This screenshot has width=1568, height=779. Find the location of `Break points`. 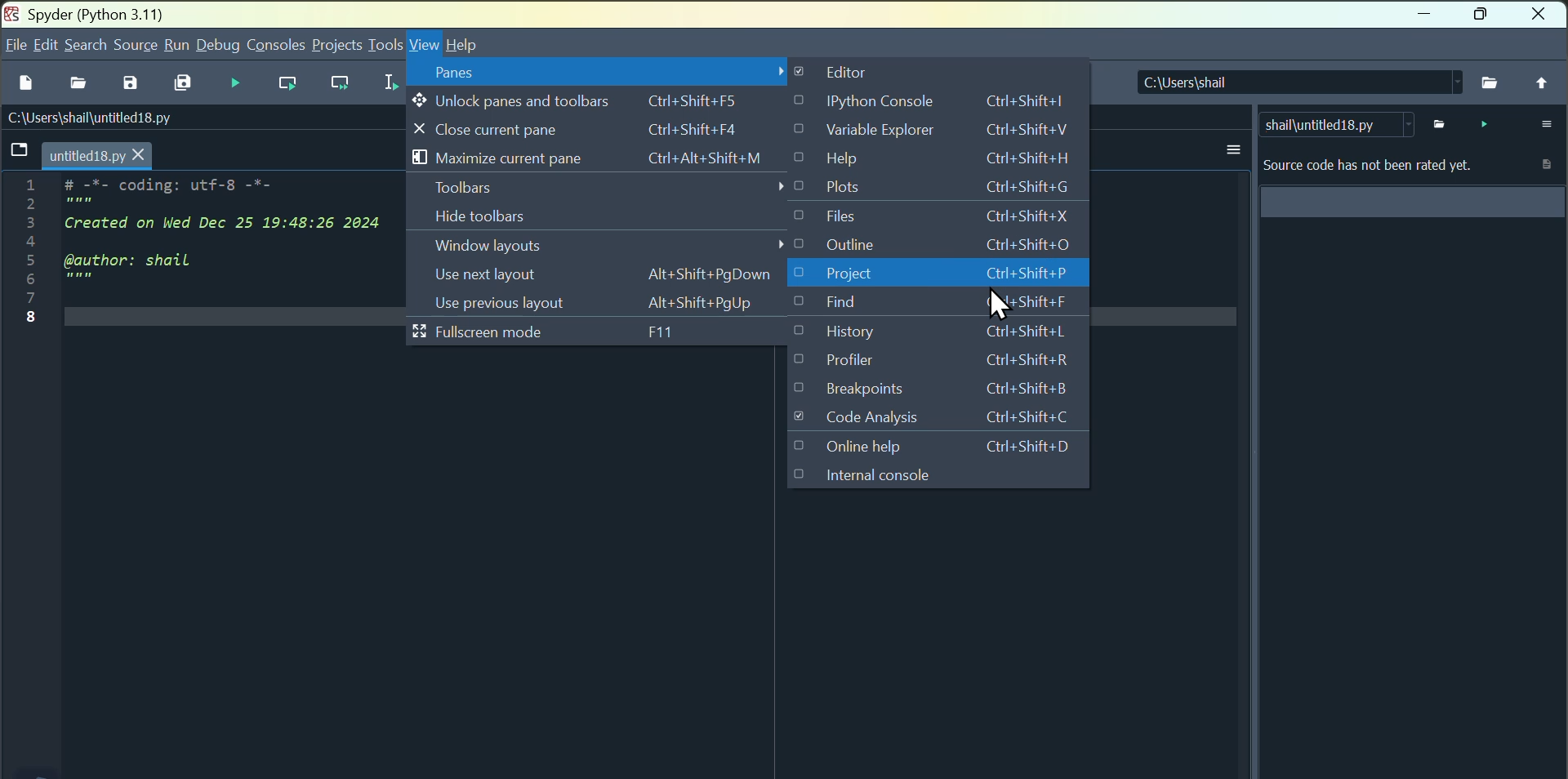

Break points is located at coordinates (933, 389).